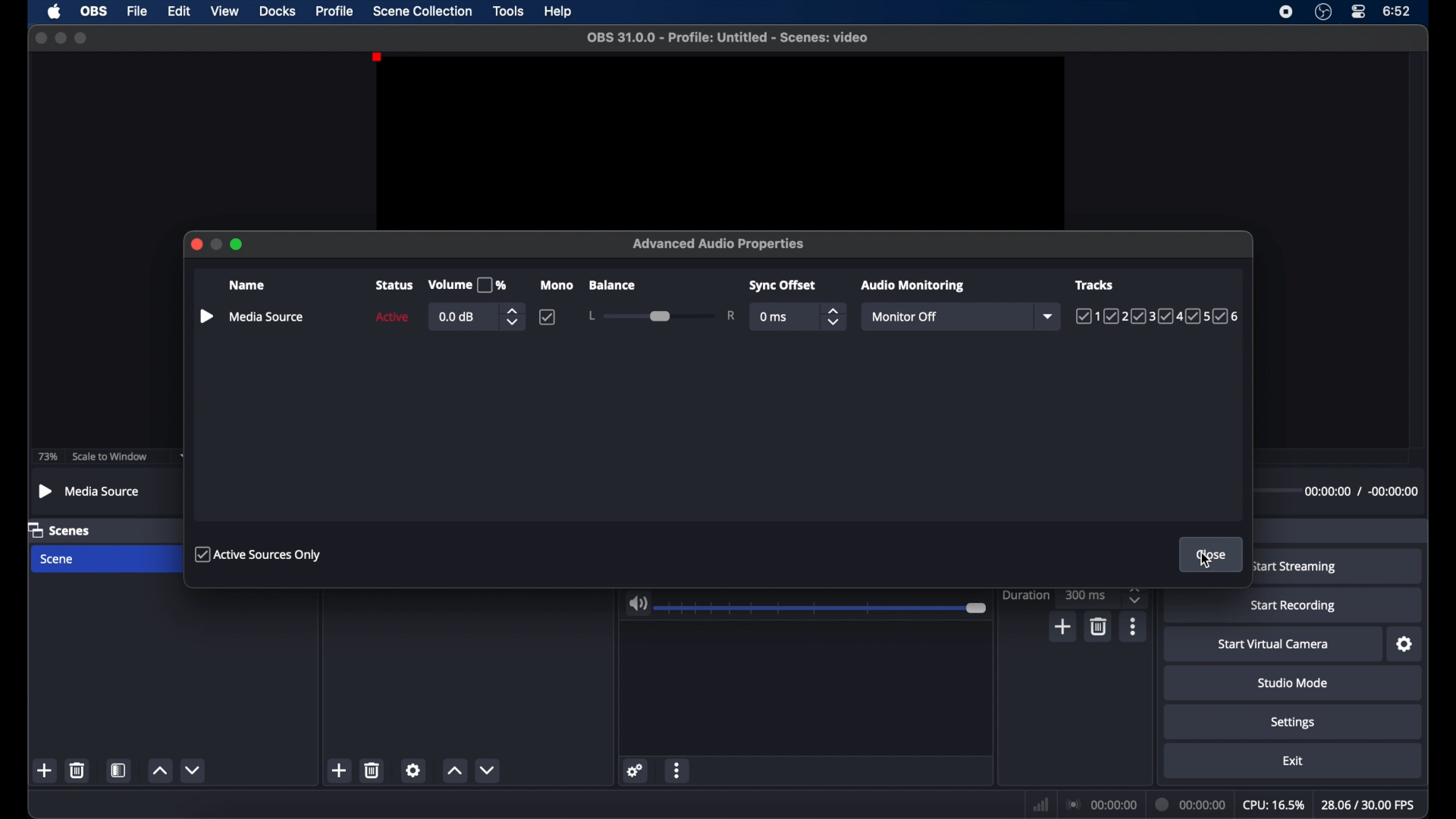 The width and height of the screenshot is (1456, 819). I want to click on stepper buttons, so click(834, 317).